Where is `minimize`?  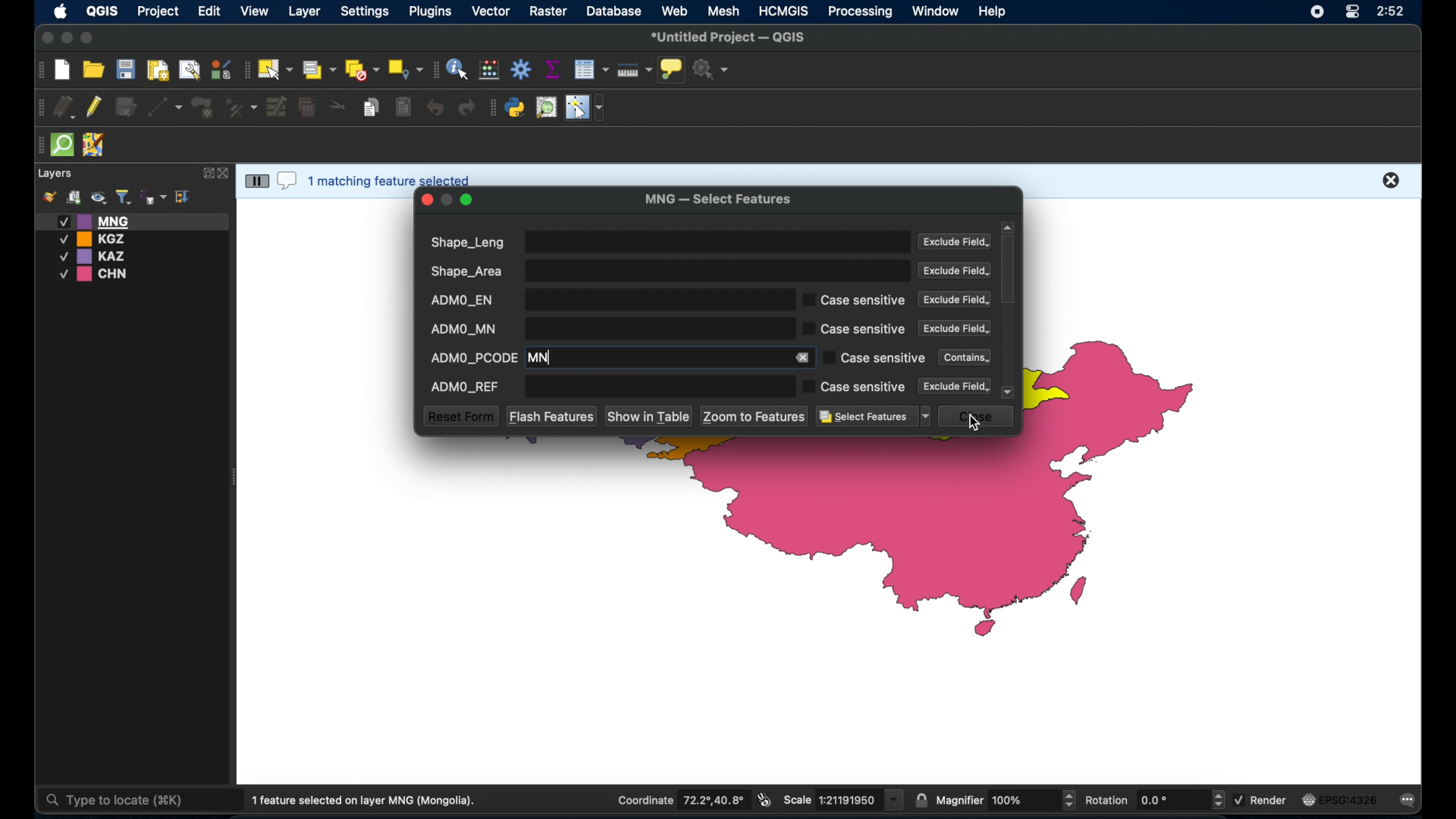
minimize is located at coordinates (68, 39).